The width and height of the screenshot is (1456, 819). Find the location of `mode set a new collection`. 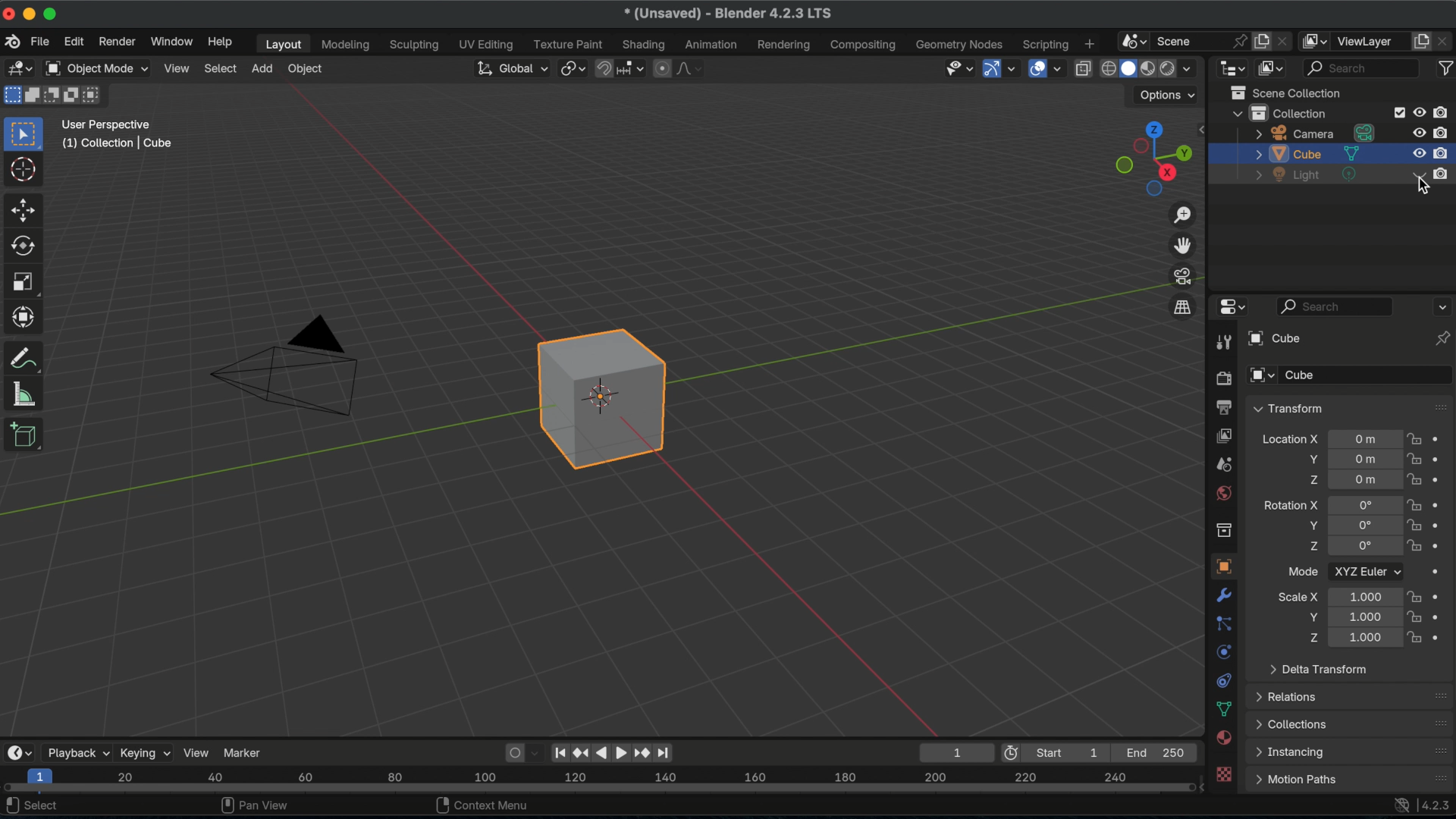

mode set a new collection is located at coordinates (11, 95).